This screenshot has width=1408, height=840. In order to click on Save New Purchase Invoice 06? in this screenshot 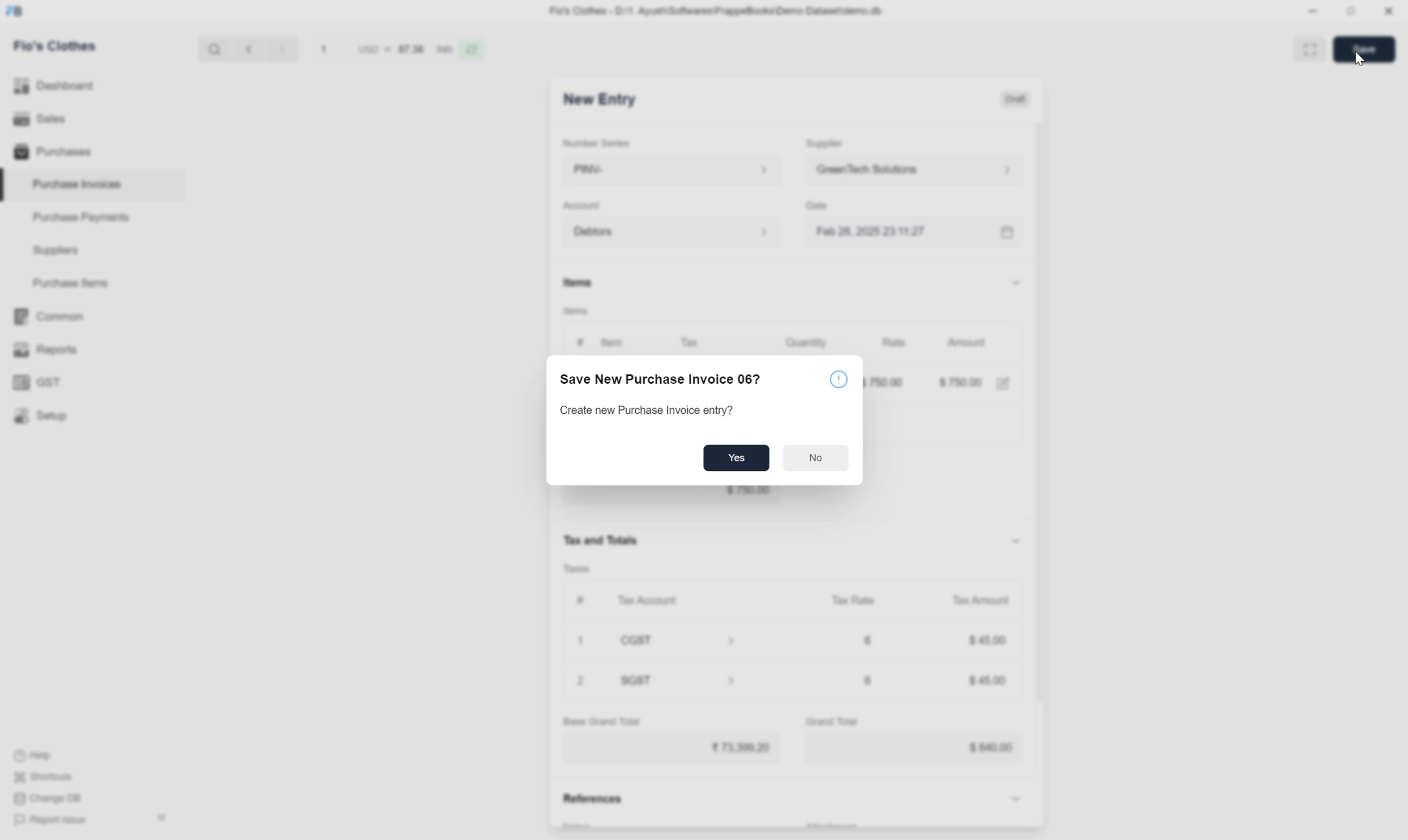, I will do `click(662, 381)`.